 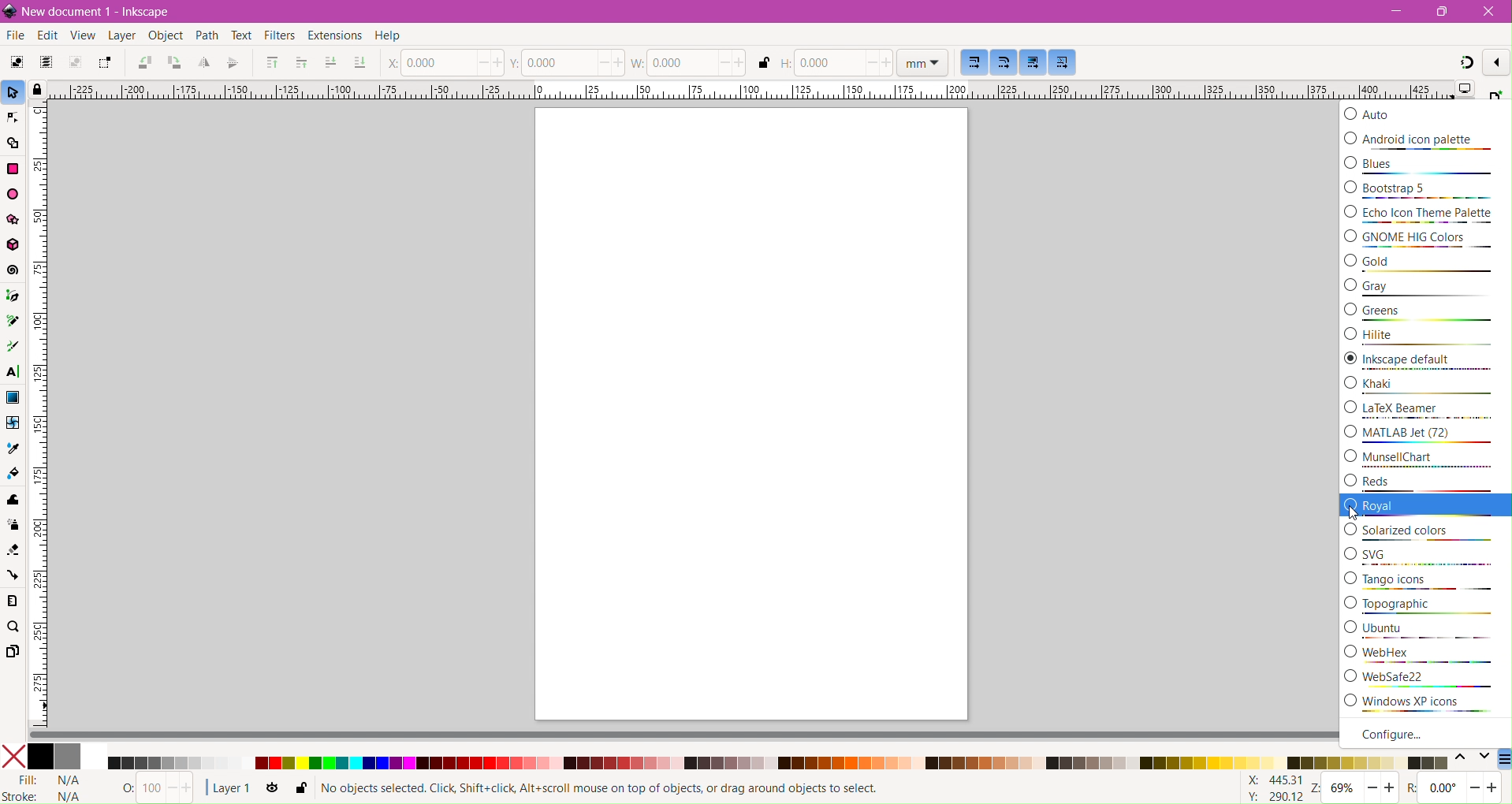 What do you see at coordinates (105, 63) in the screenshot?
I see `Toggle selection box to touch all selected objects` at bounding box center [105, 63].